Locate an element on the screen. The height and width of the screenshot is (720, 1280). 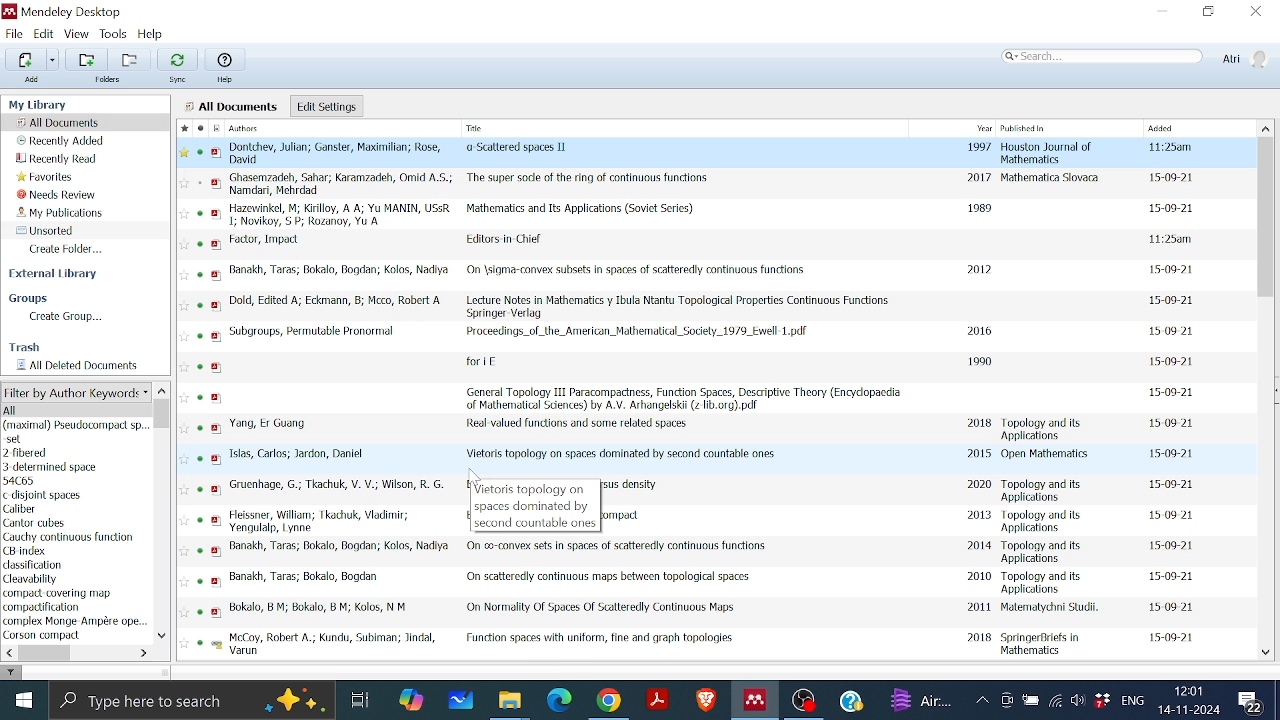
favourite is located at coordinates (186, 552).